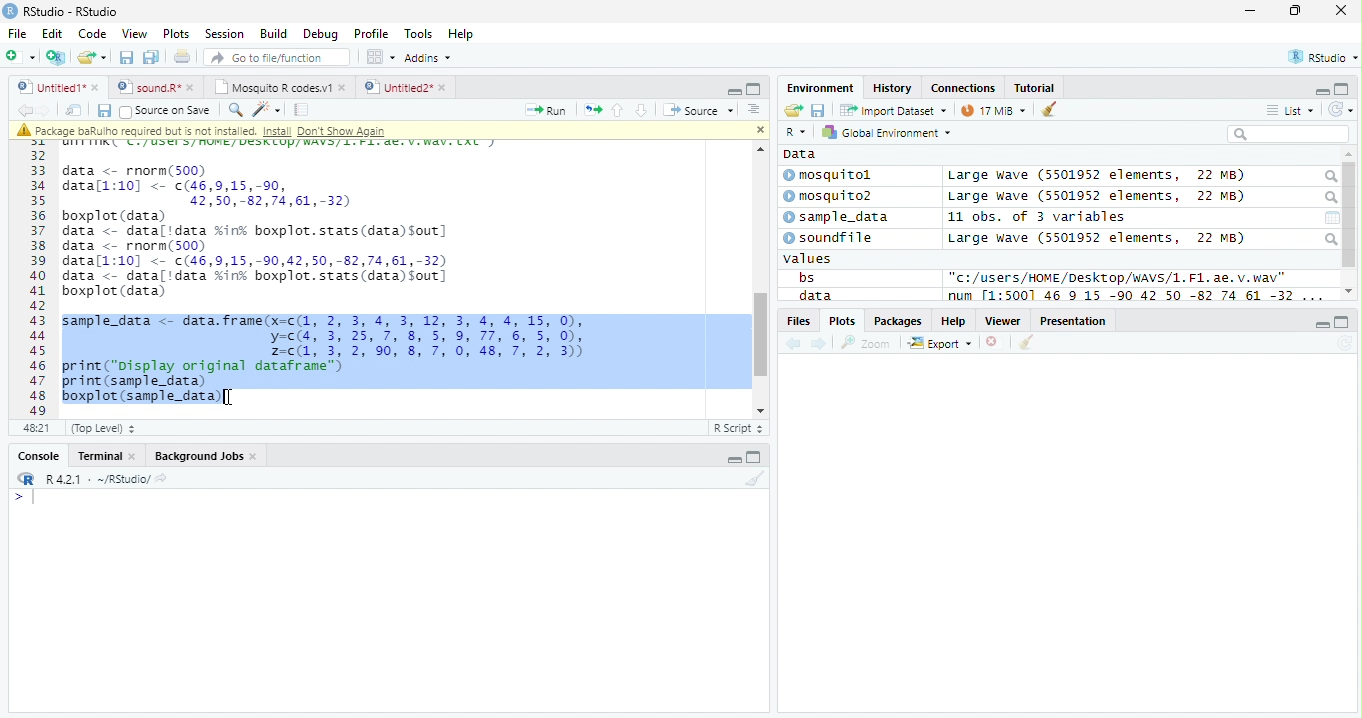 The height and width of the screenshot is (718, 1362). What do you see at coordinates (71, 11) in the screenshot?
I see `RStudio - RStudio` at bounding box center [71, 11].